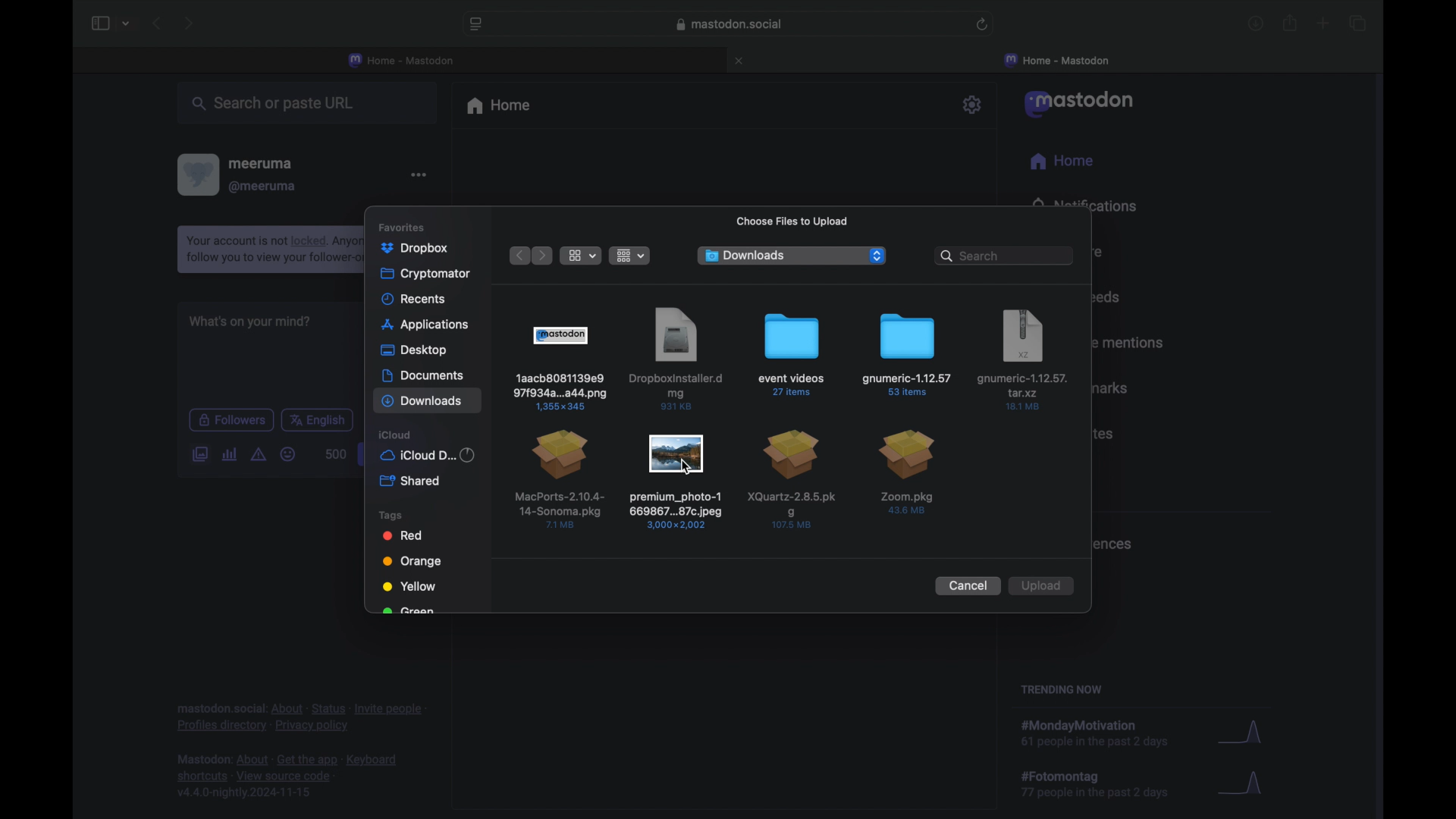 This screenshot has height=819, width=1456. What do you see at coordinates (402, 59) in the screenshot?
I see `home - mastodon` at bounding box center [402, 59].